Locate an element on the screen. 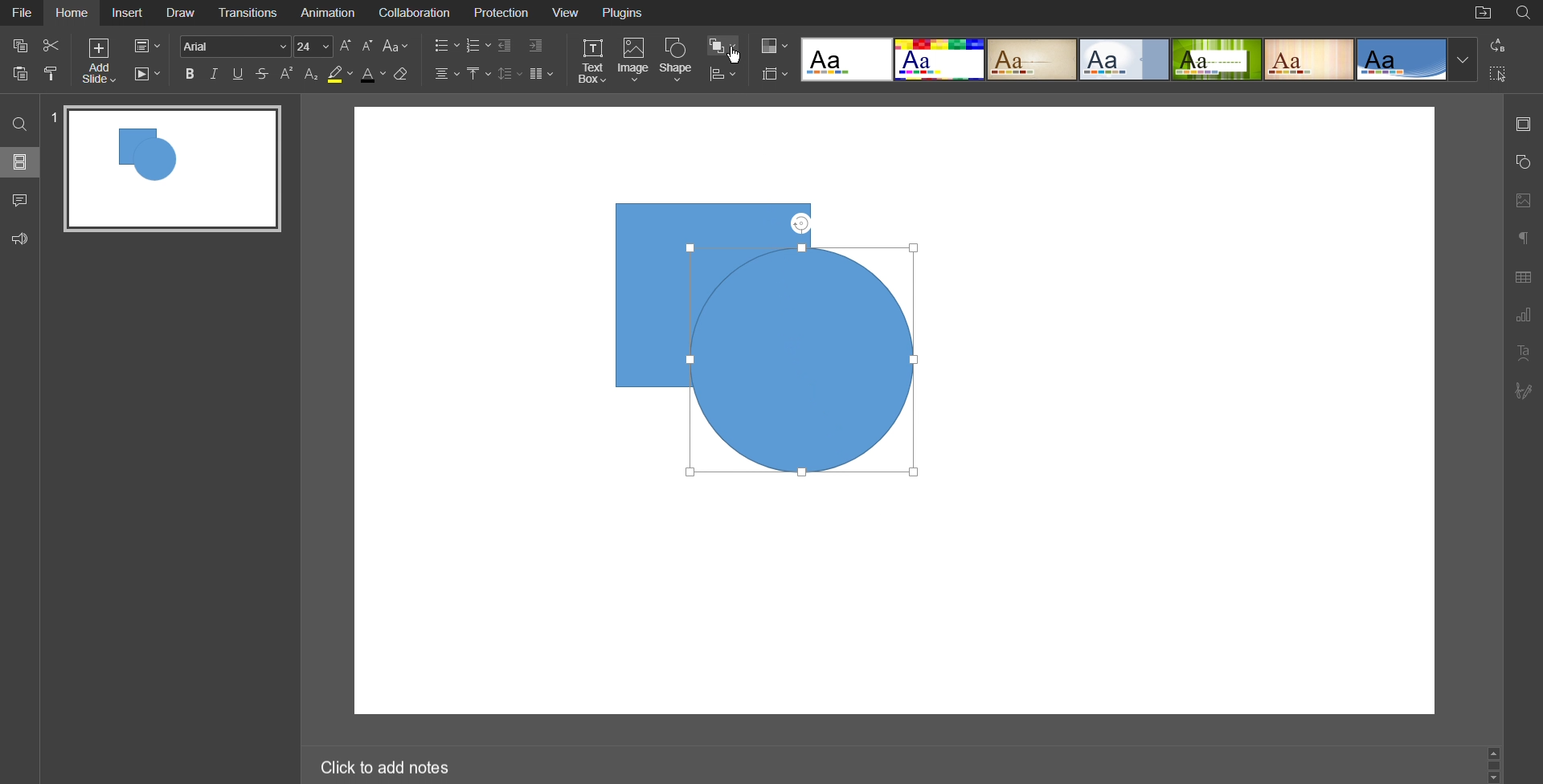  Copy is located at coordinates (18, 47).